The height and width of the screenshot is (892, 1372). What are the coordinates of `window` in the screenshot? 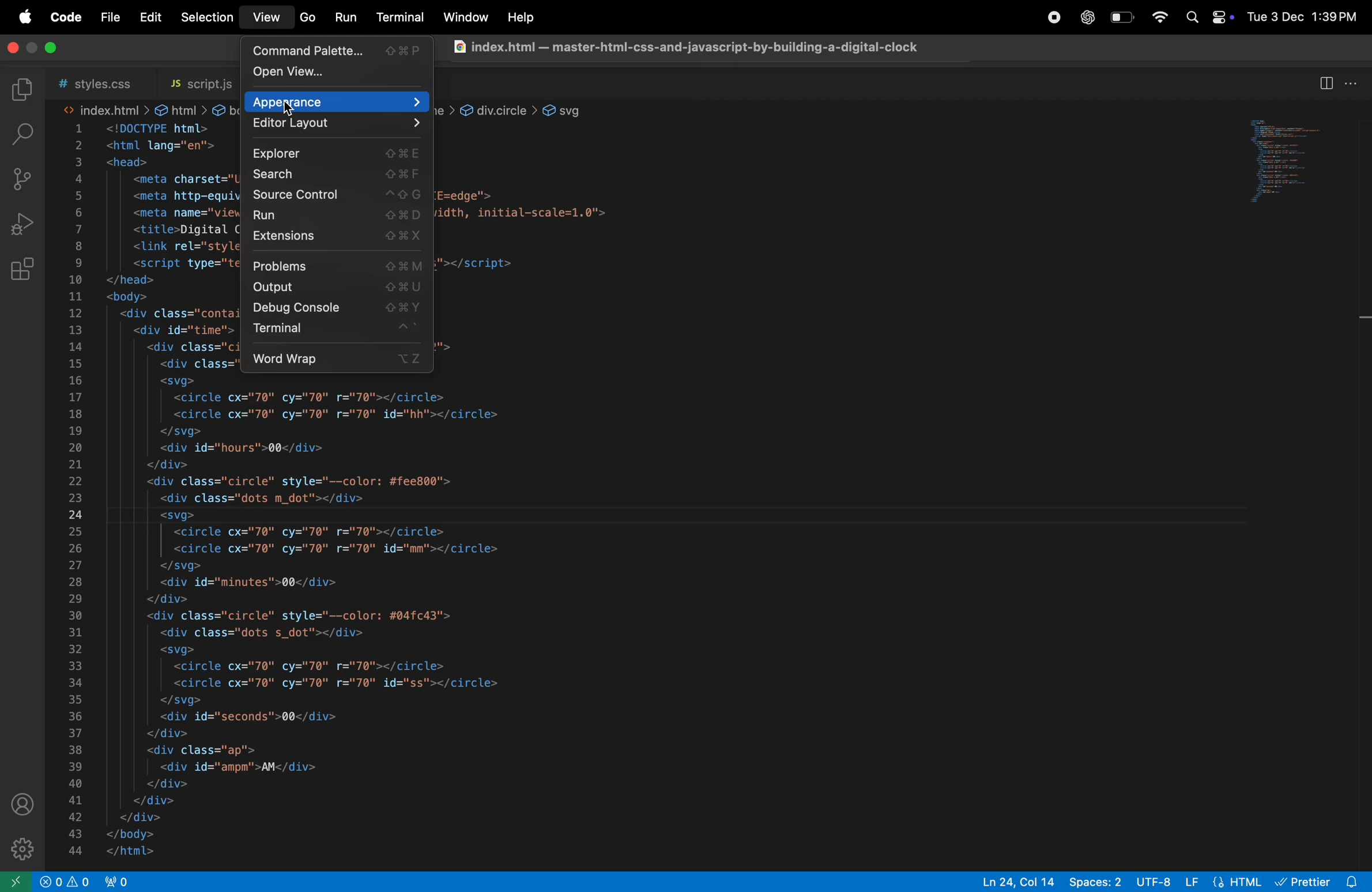 It's located at (463, 18).